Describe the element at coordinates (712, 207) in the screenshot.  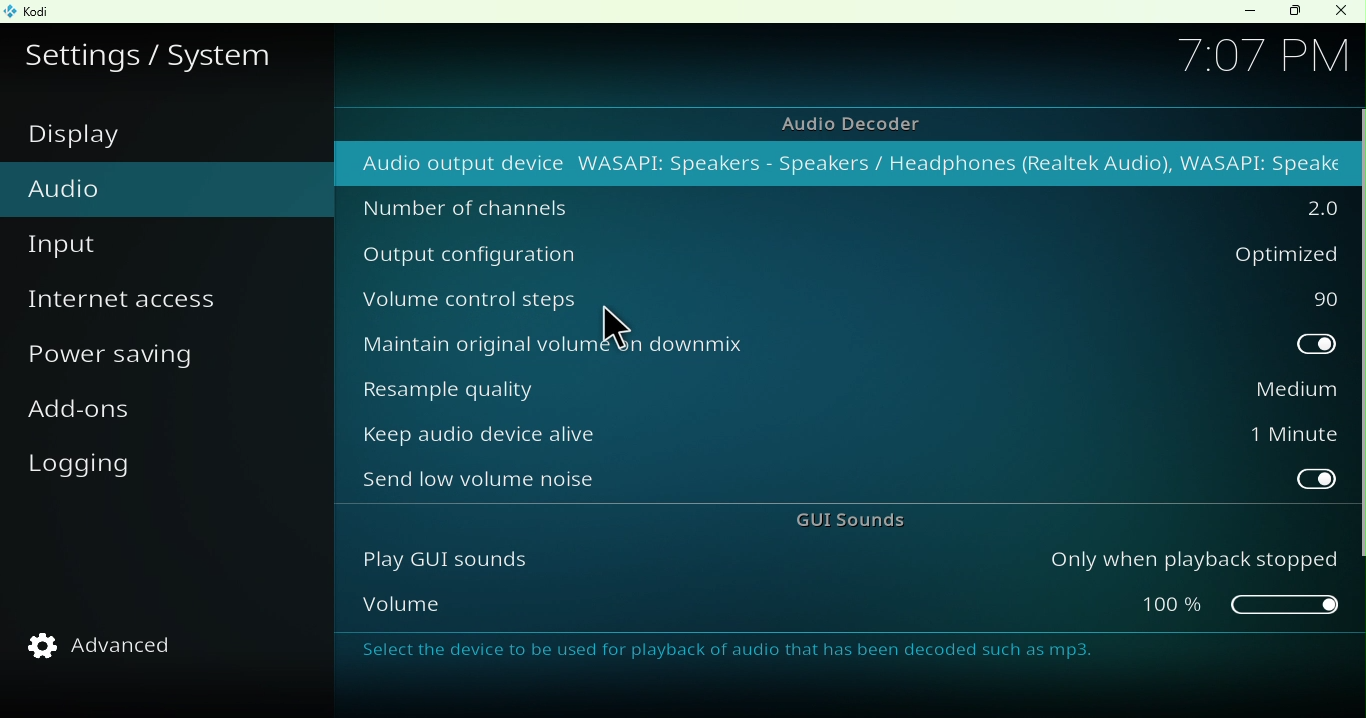
I see `Number of channels` at that location.